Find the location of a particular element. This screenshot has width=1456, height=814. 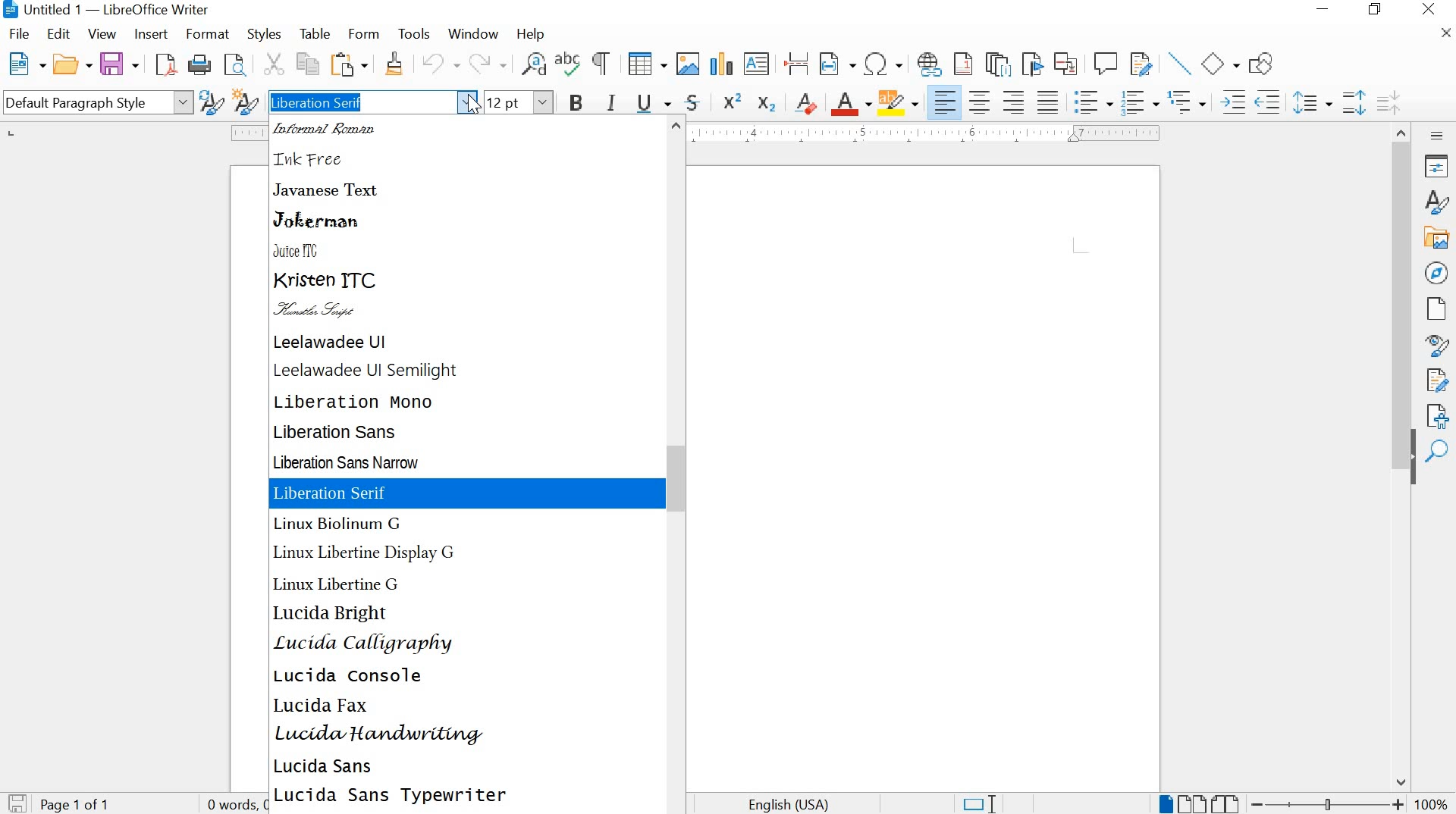

PAGE is located at coordinates (1434, 308).